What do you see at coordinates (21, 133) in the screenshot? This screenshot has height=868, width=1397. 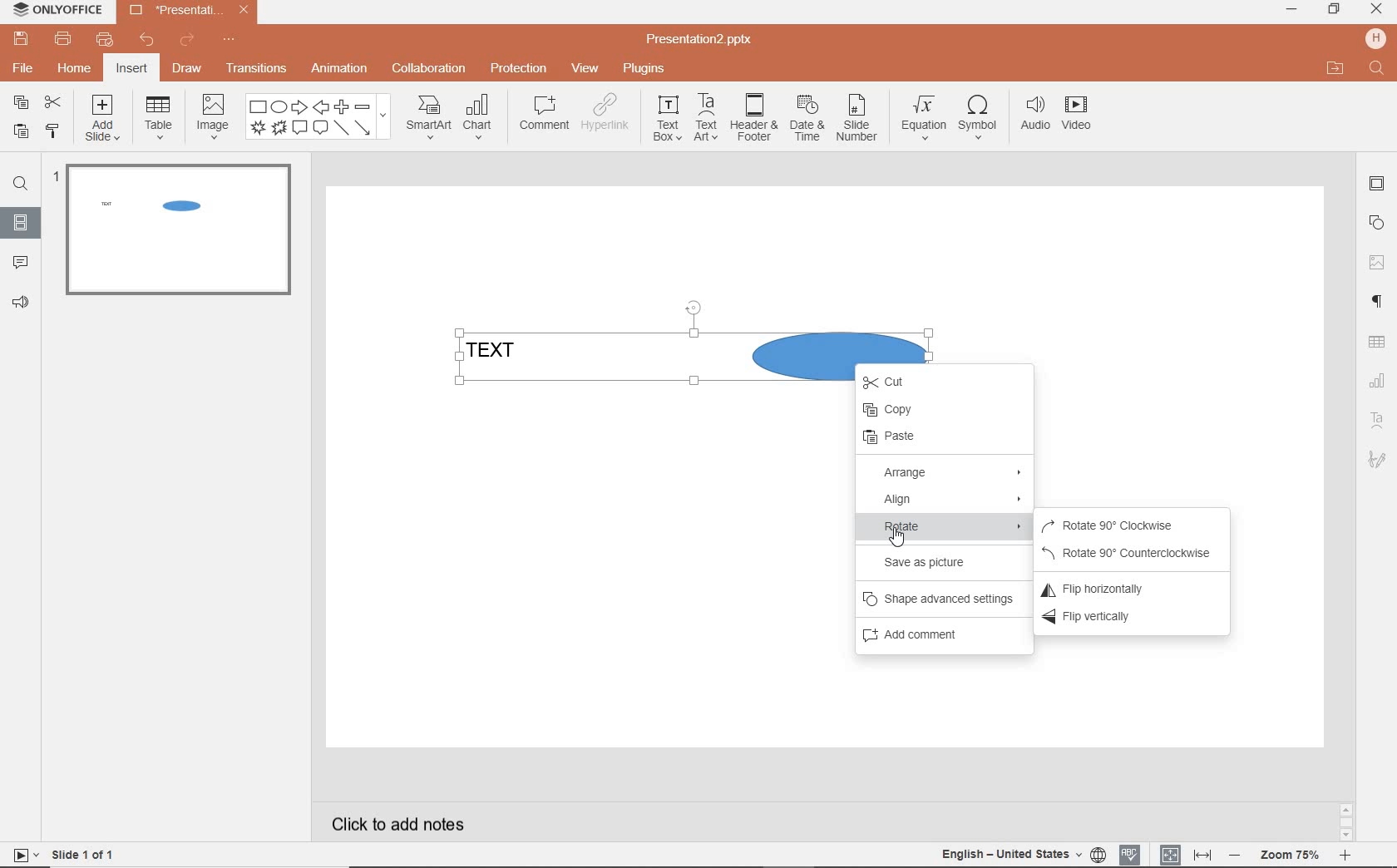 I see `paste` at bounding box center [21, 133].